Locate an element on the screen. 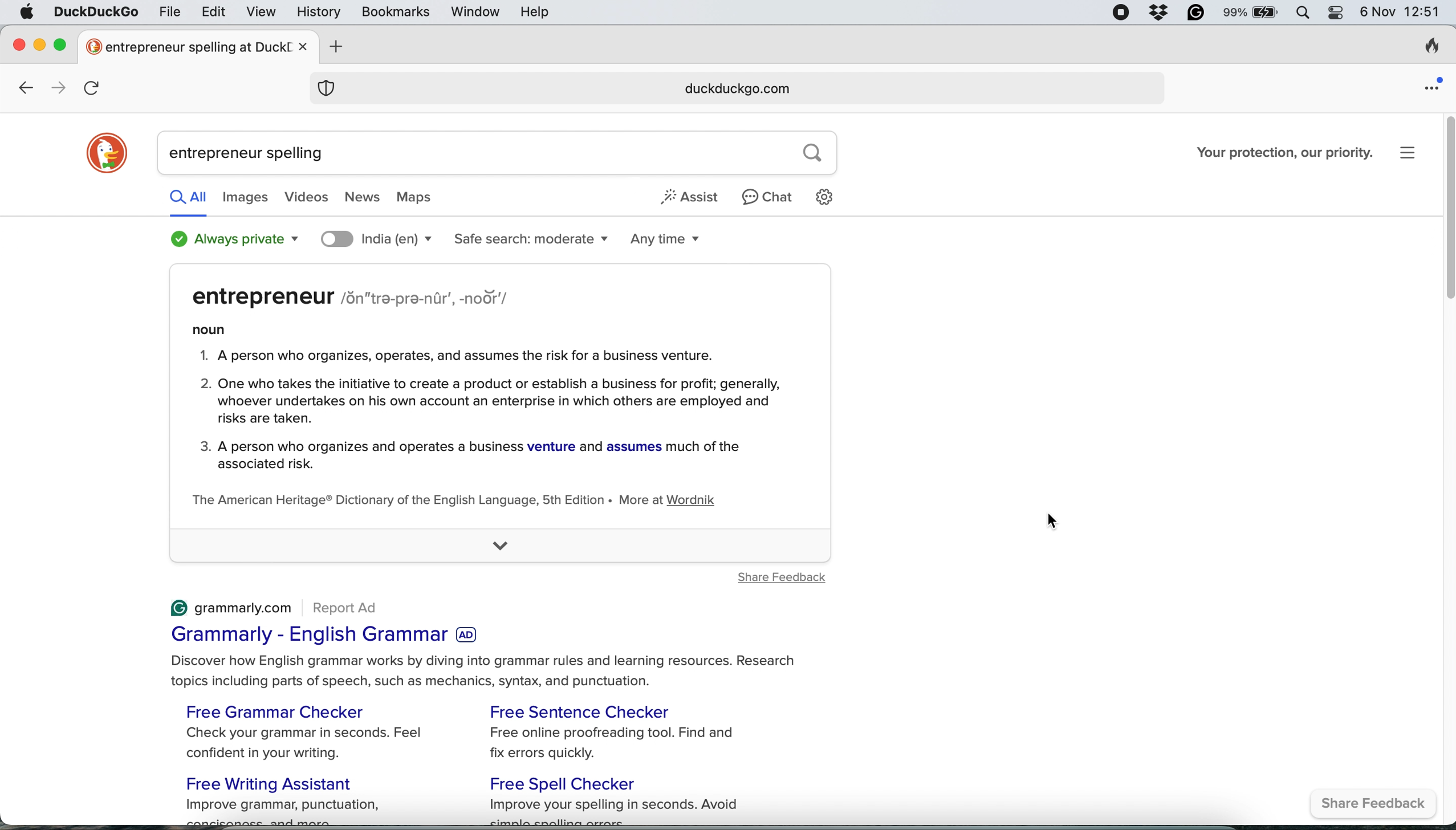  maps is located at coordinates (413, 196).